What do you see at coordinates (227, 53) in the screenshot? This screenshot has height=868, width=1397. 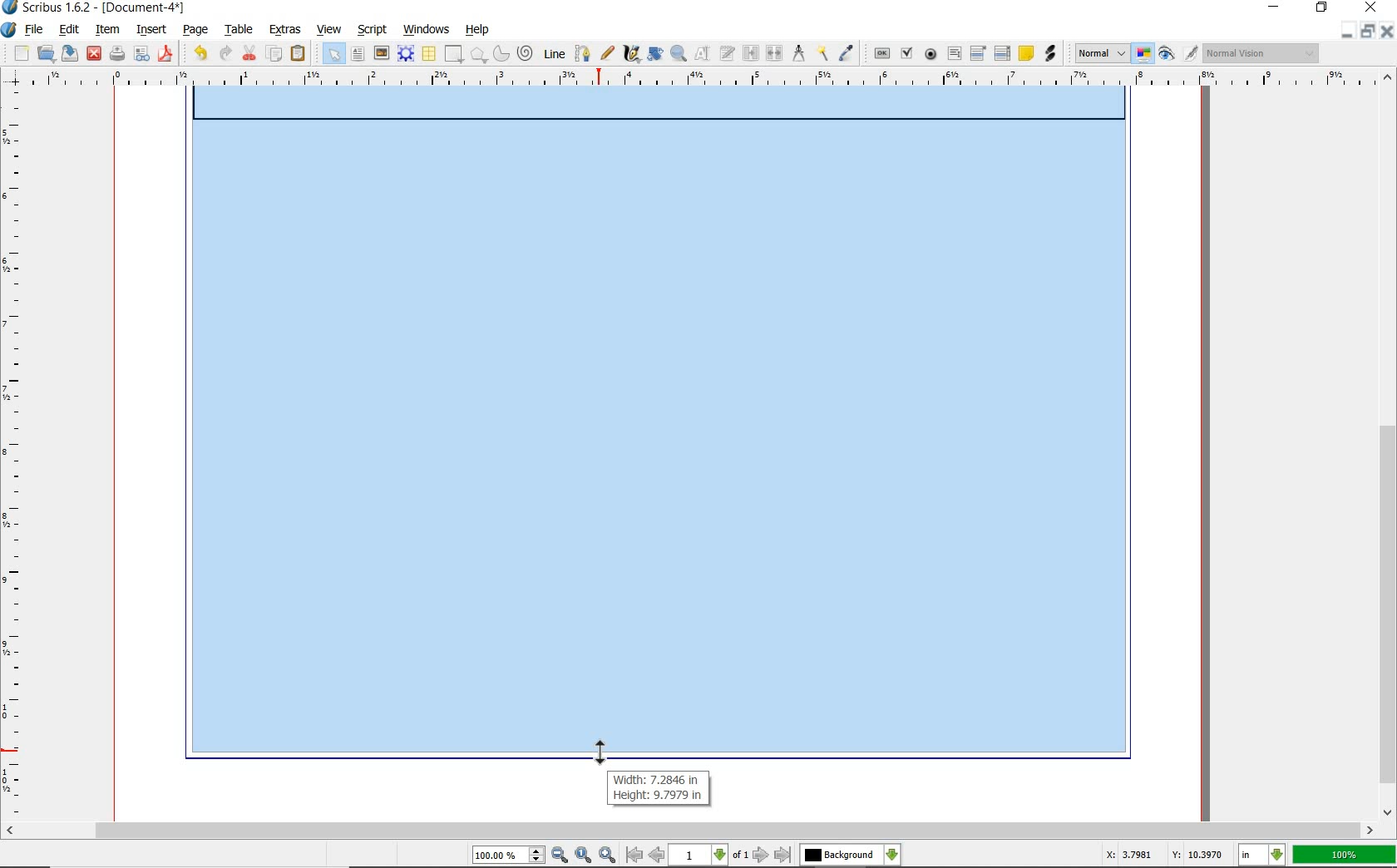 I see `redo` at bounding box center [227, 53].